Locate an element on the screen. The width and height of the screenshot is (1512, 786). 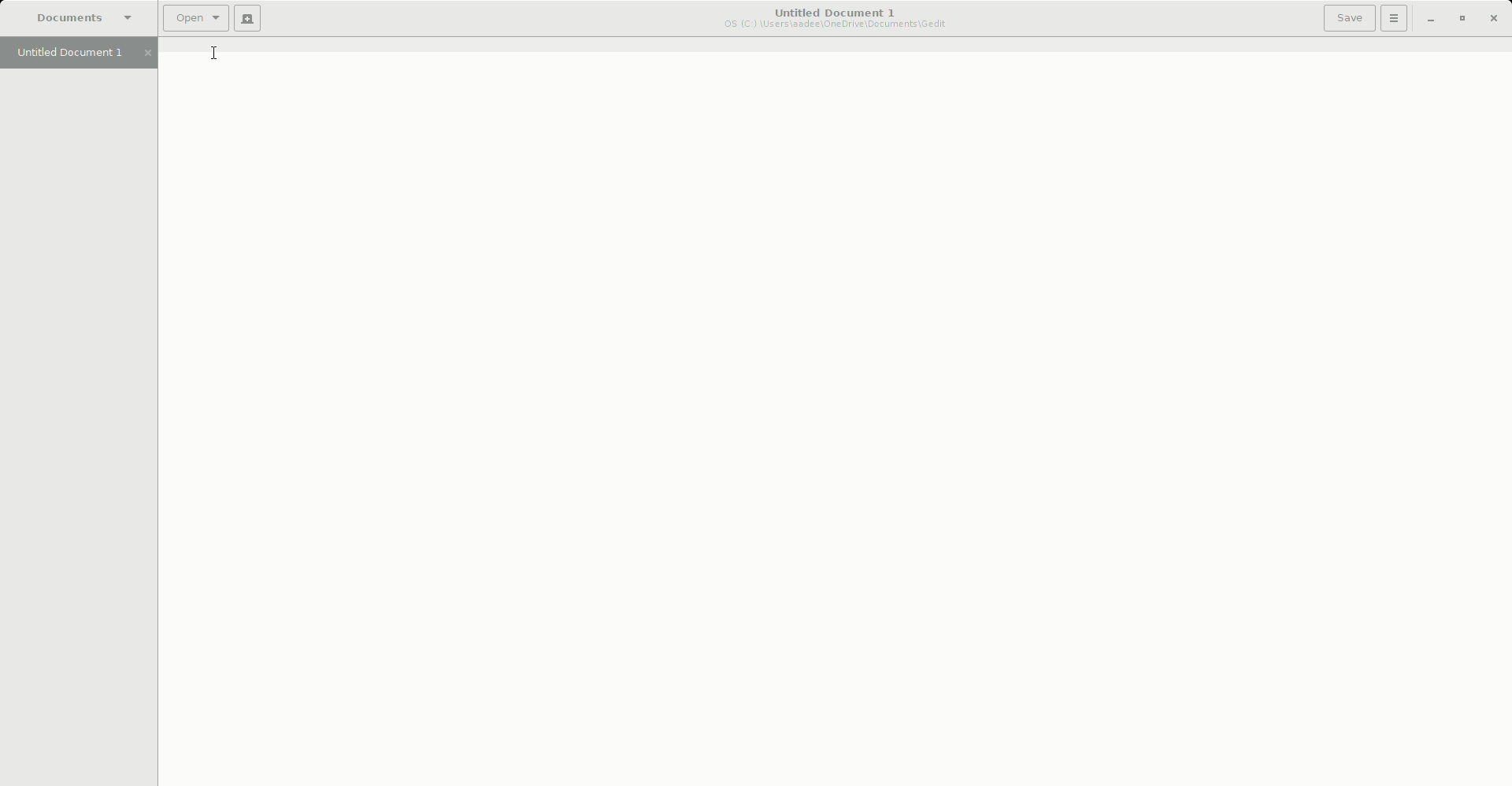
Untitled Document 1 is located at coordinates (837, 20).